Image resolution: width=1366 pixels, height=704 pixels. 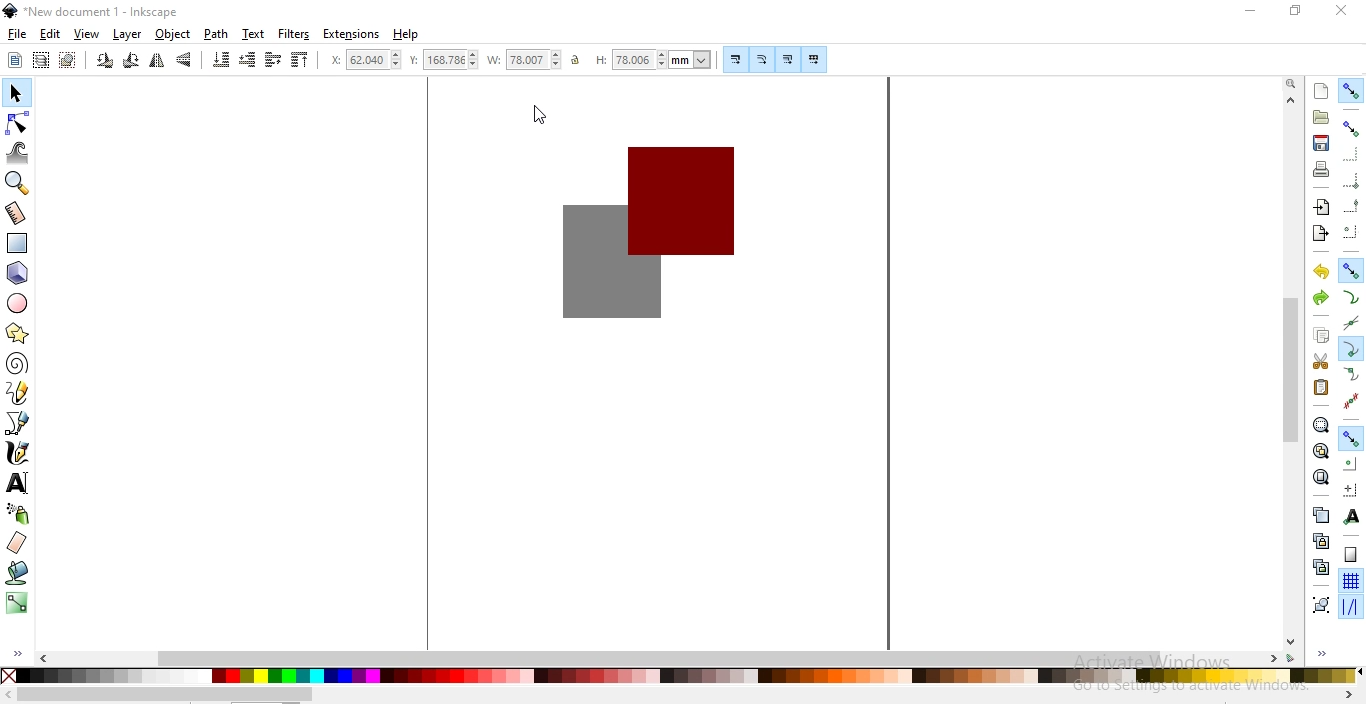 I want to click on snap cusp nodes, so click(x=1352, y=349).